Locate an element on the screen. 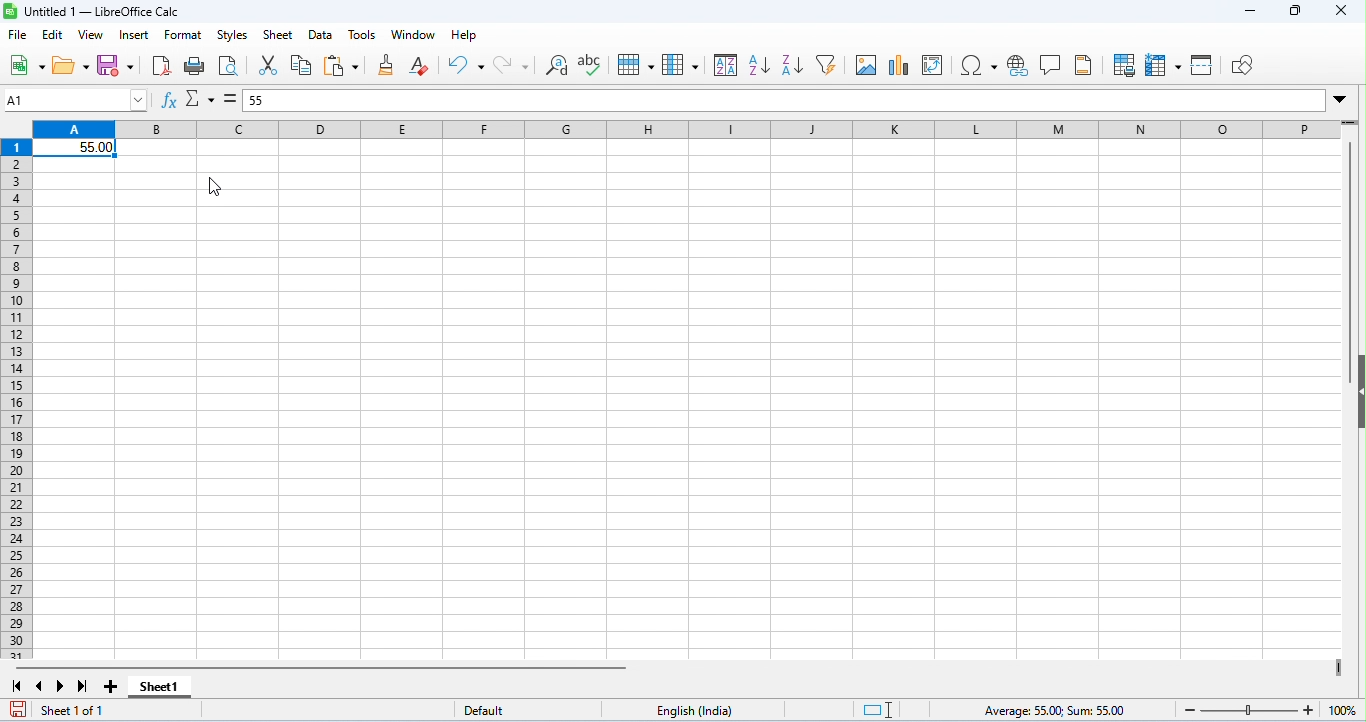 The width and height of the screenshot is (1366, 722). column headings is located at coordinates (684, 130).